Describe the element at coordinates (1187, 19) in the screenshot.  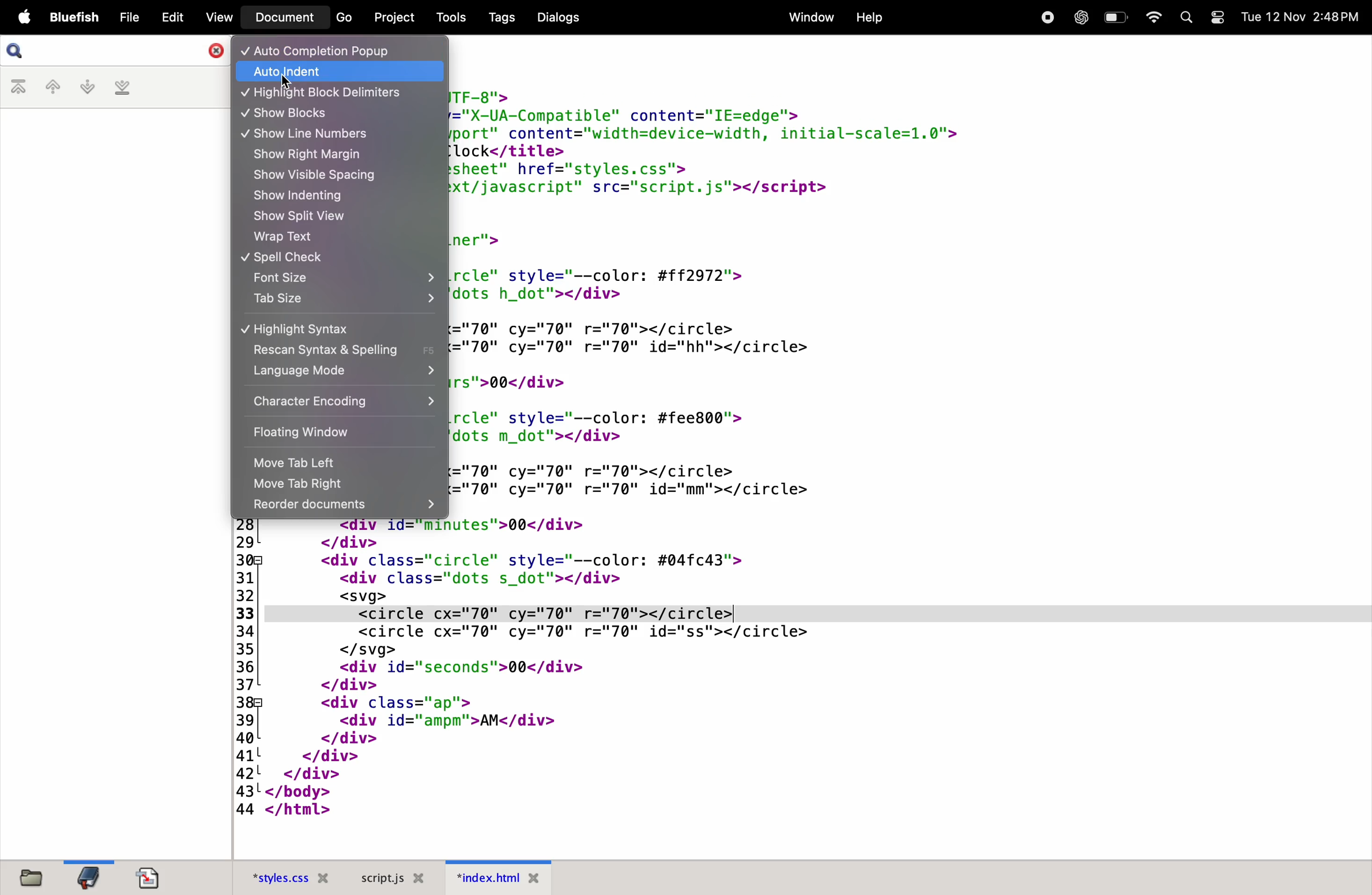
I see `search` at that location.